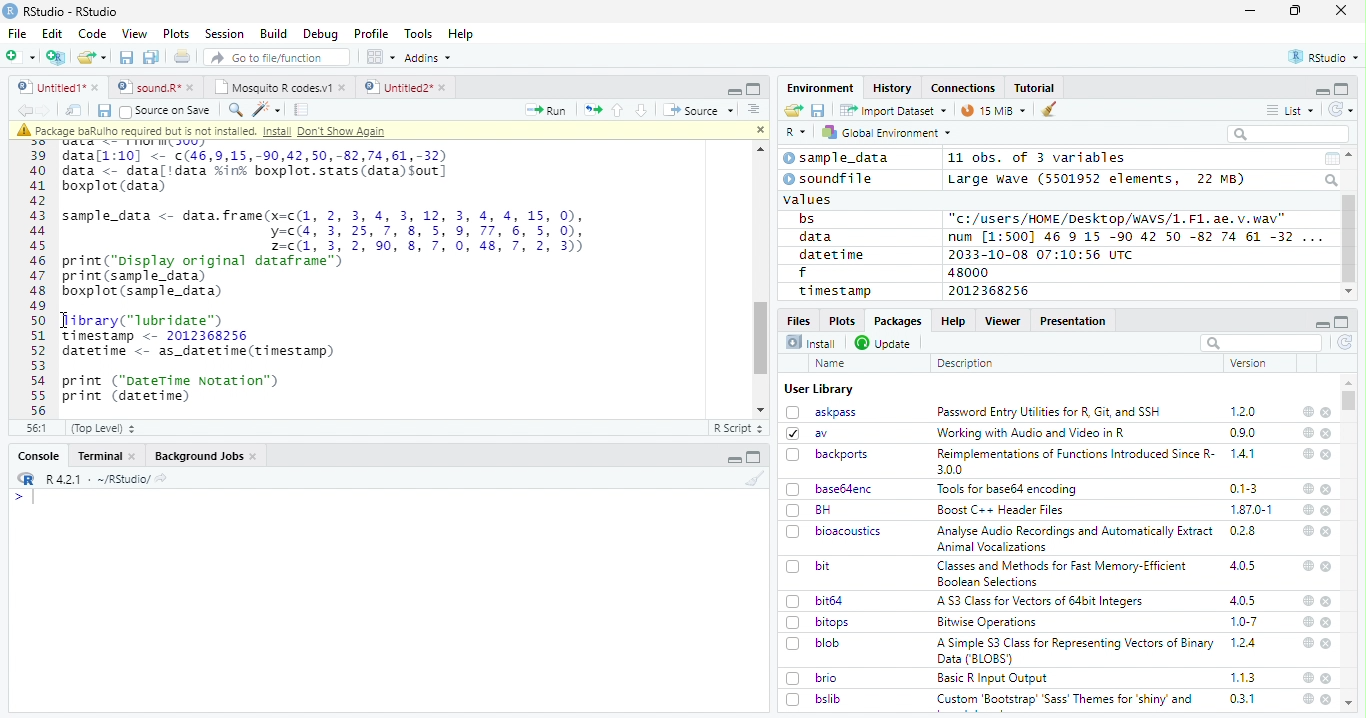  Describe the element at coordinates (1307, 565) in the screenshot. I see `help` at that location.